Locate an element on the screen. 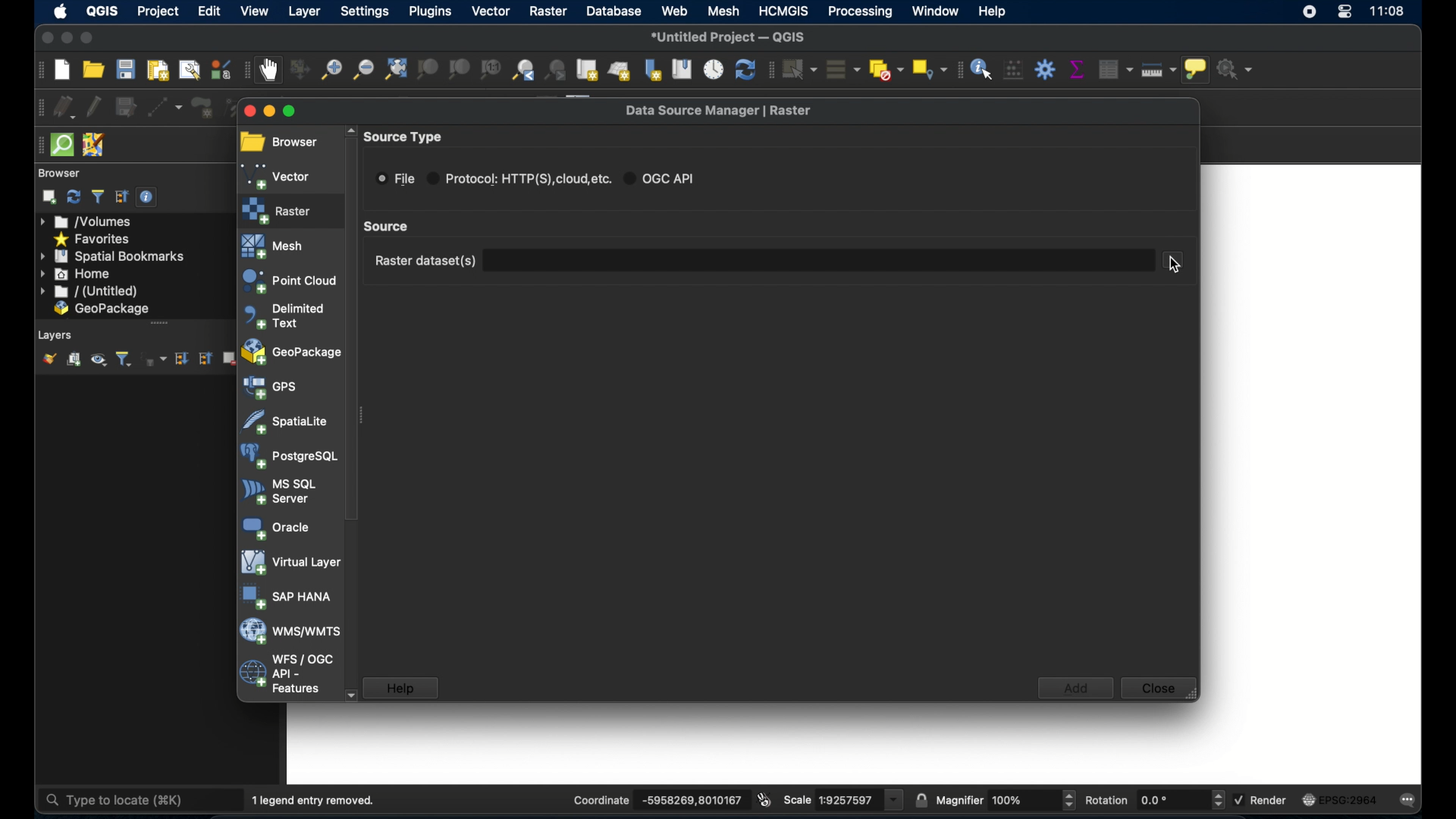 The image size is (1456, 819). measure line is located at coordinates (1161, 72).